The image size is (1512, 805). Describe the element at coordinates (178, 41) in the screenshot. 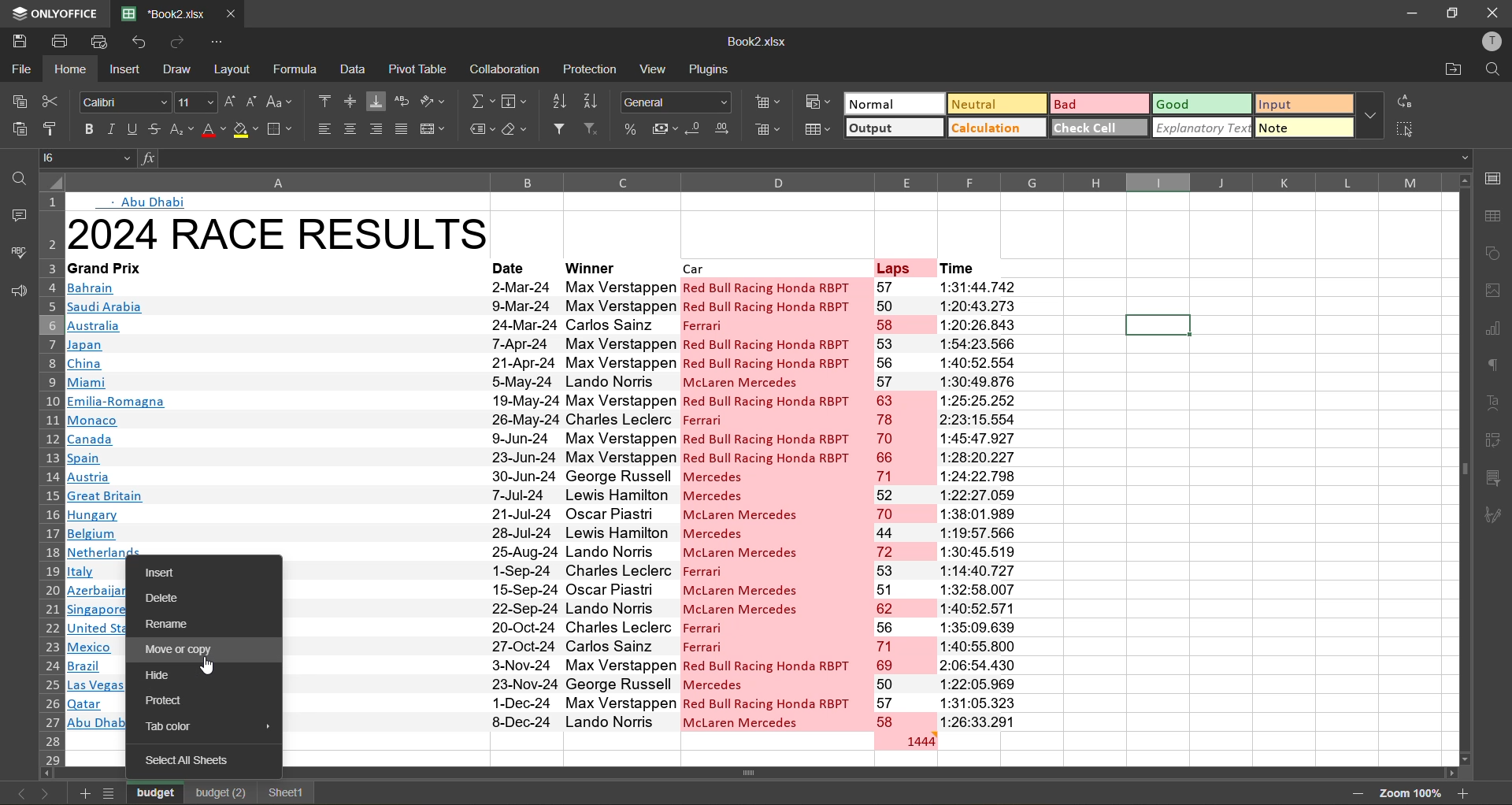

I see `redo` at that location.